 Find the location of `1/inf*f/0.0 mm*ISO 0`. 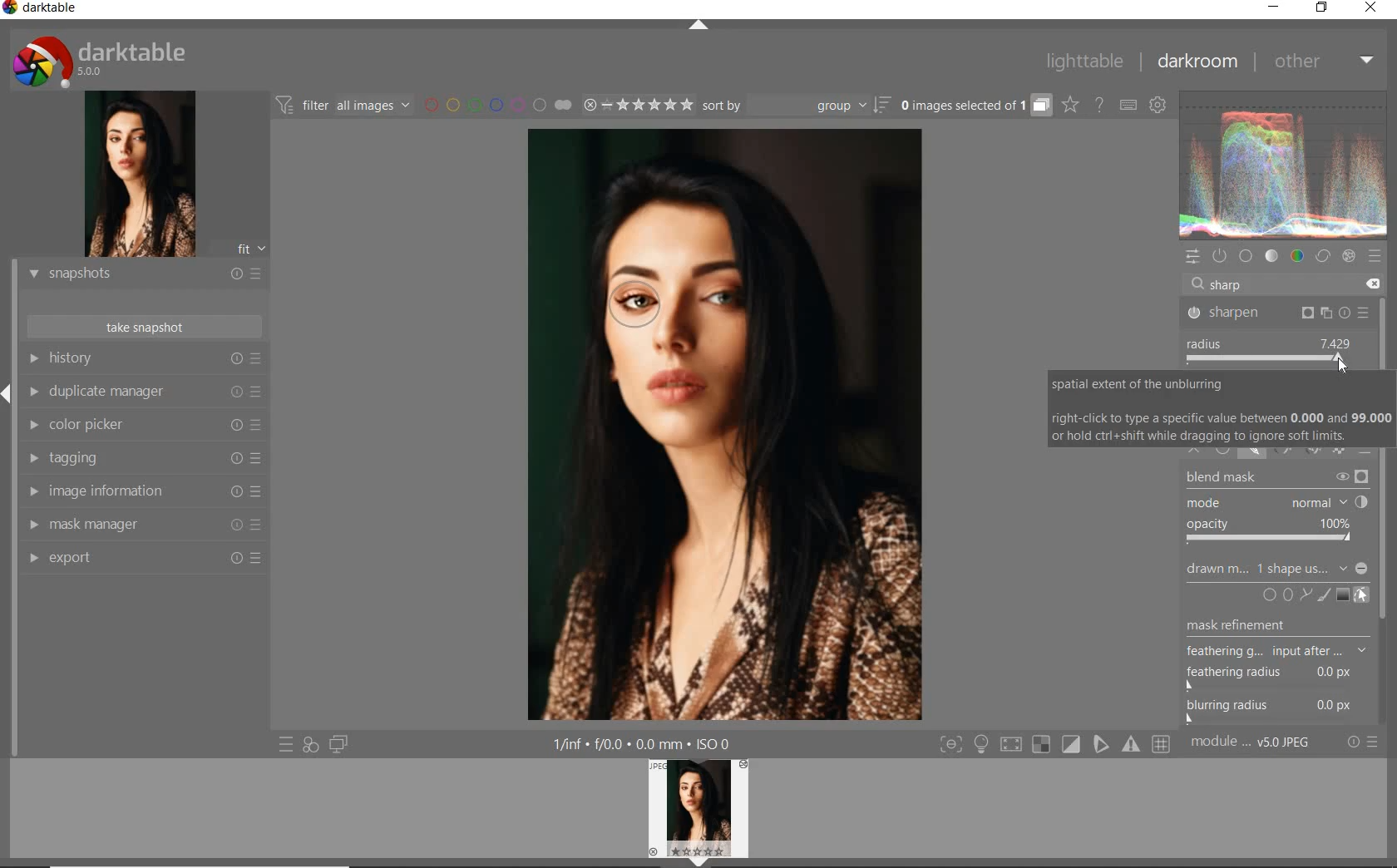

1/inf*f/0.0 mm*ISO 0 is located at coordinates (644, 743).